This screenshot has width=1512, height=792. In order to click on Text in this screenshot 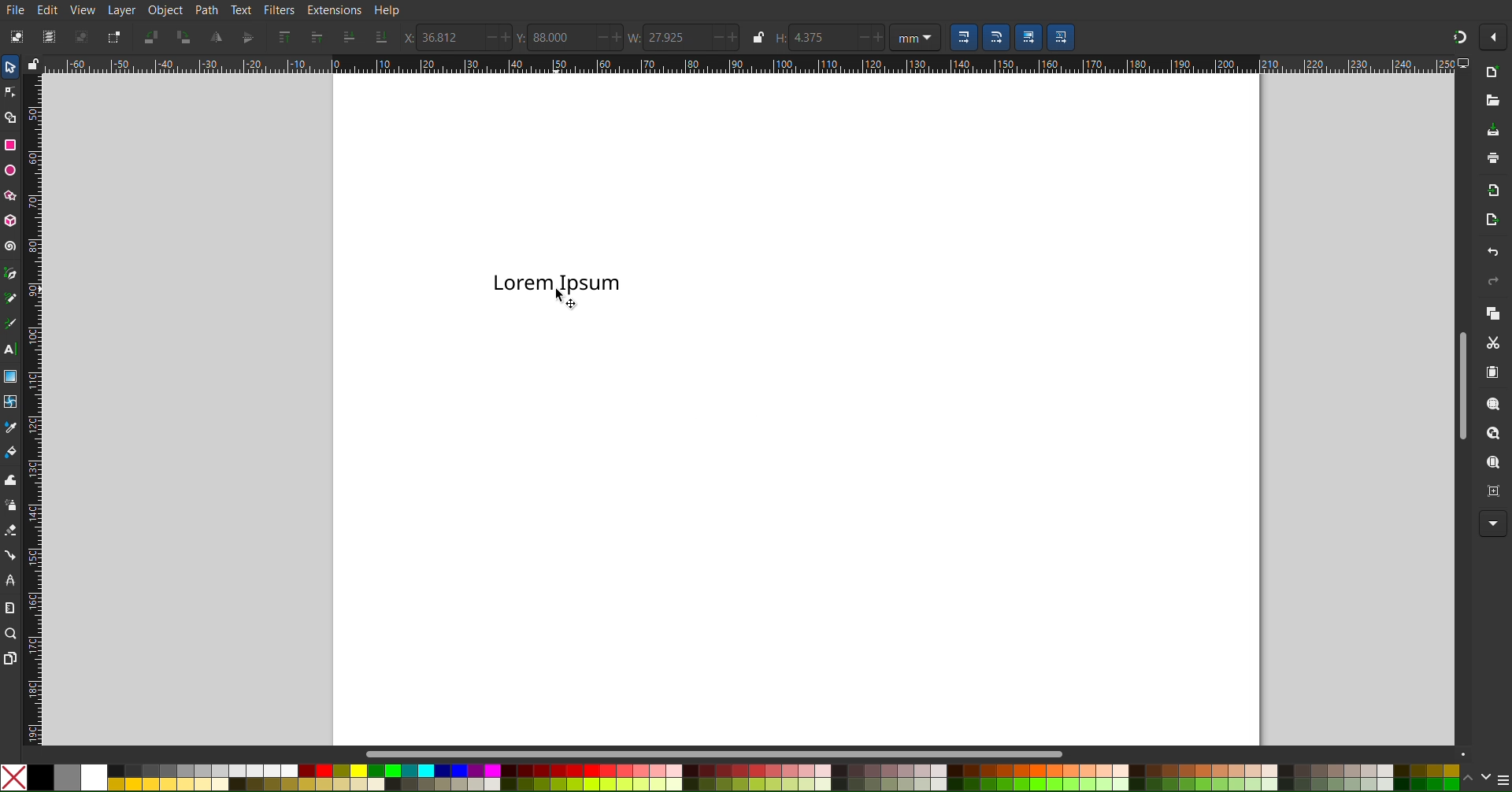, I will do `click(556, 283)`.